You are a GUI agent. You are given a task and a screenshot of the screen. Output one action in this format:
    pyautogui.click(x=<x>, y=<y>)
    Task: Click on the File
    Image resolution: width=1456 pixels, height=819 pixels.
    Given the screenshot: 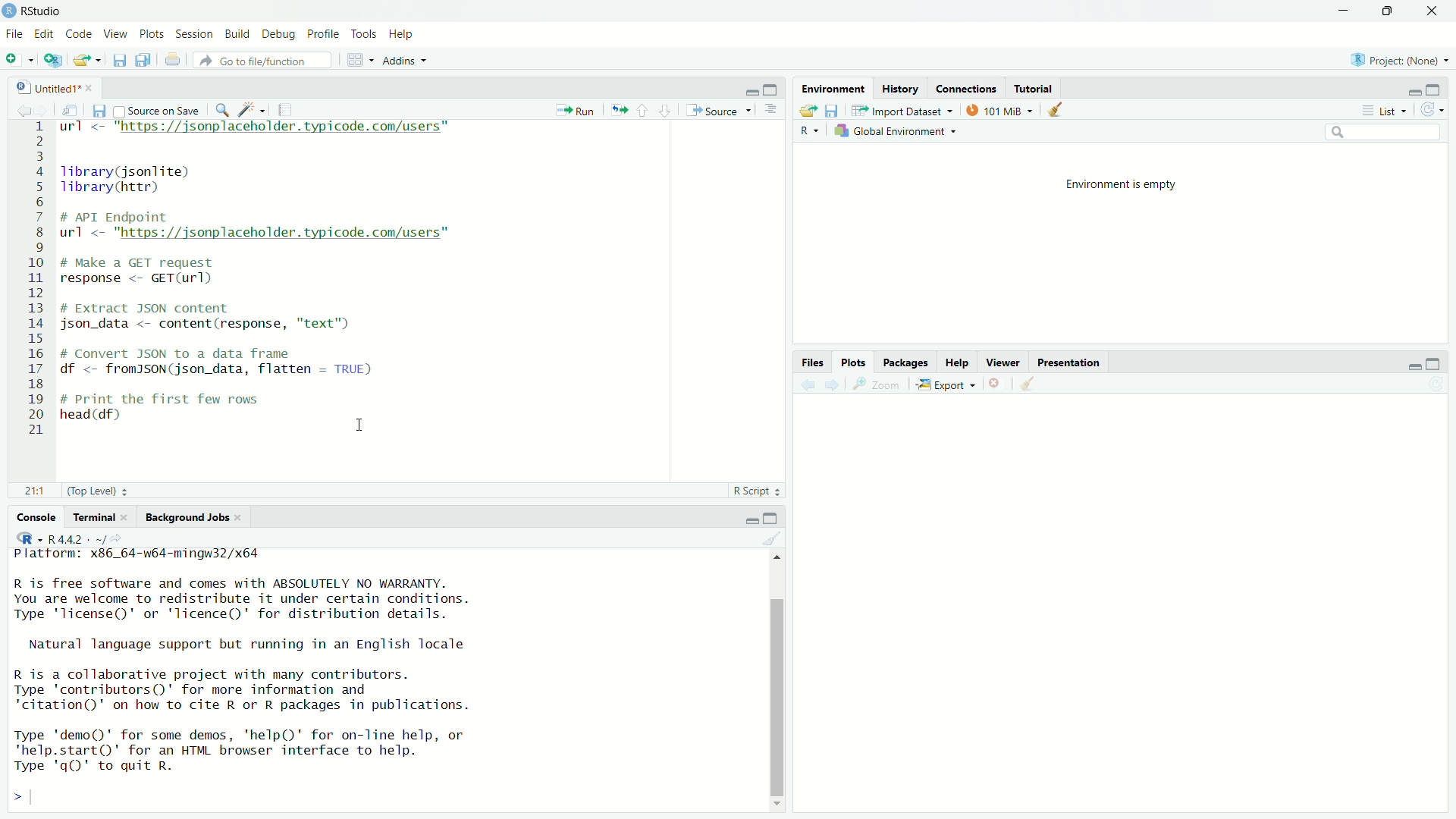 What is the action you would take?
    pyautogui.click(x=15, y=33)
    